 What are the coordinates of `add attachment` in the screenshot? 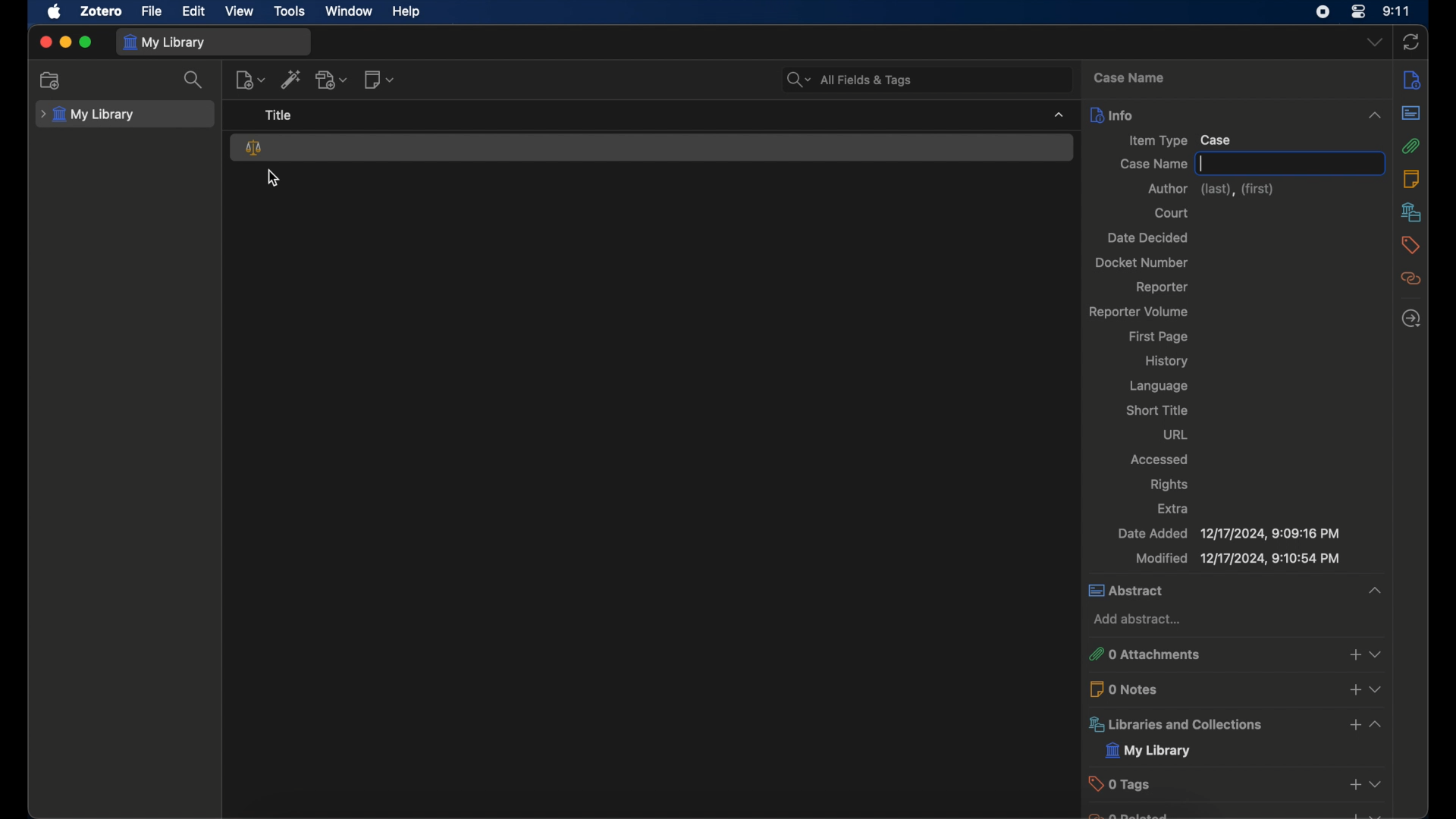 It's located at (333, 80).